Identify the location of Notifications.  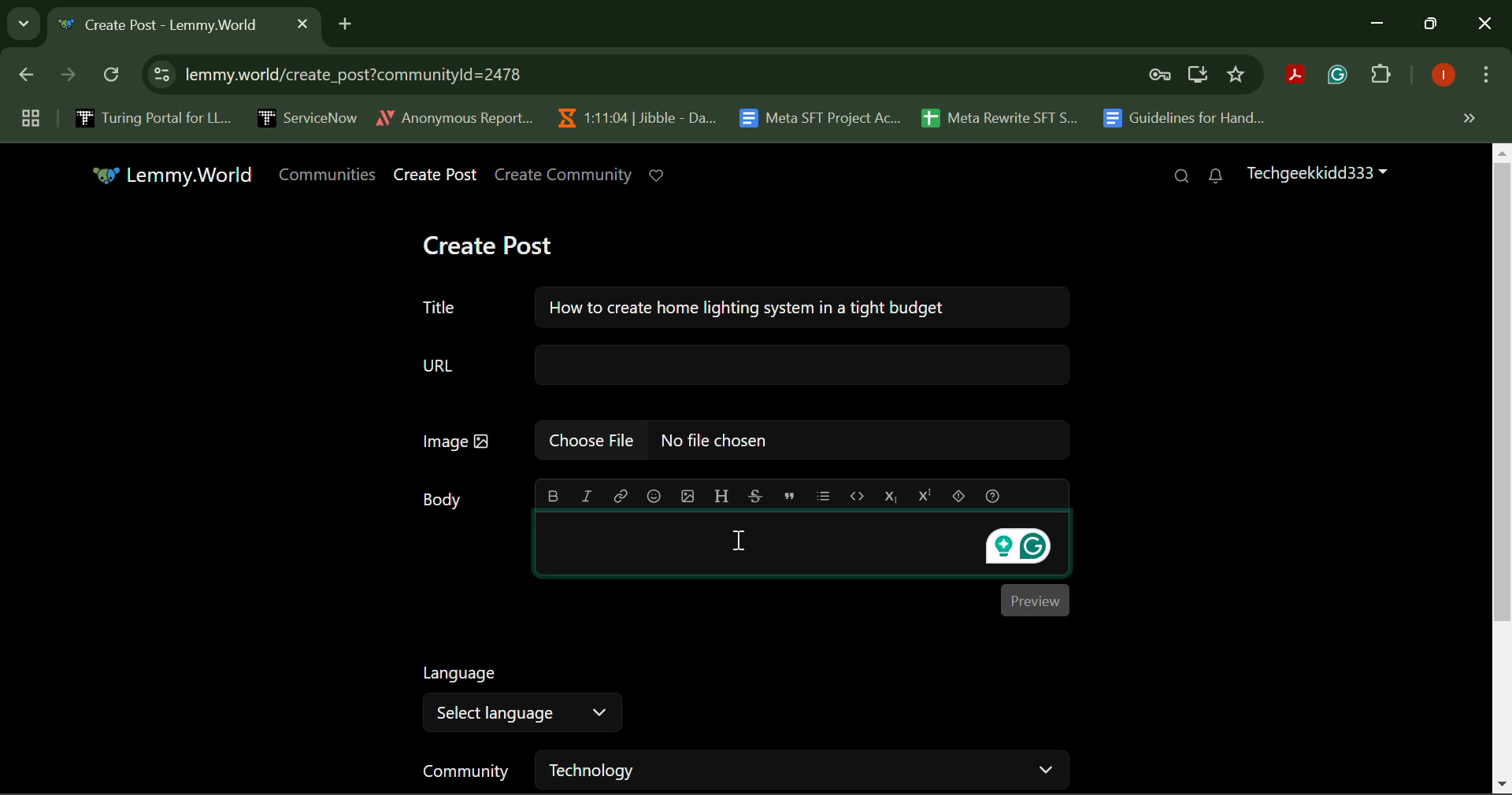
(1214, 176).